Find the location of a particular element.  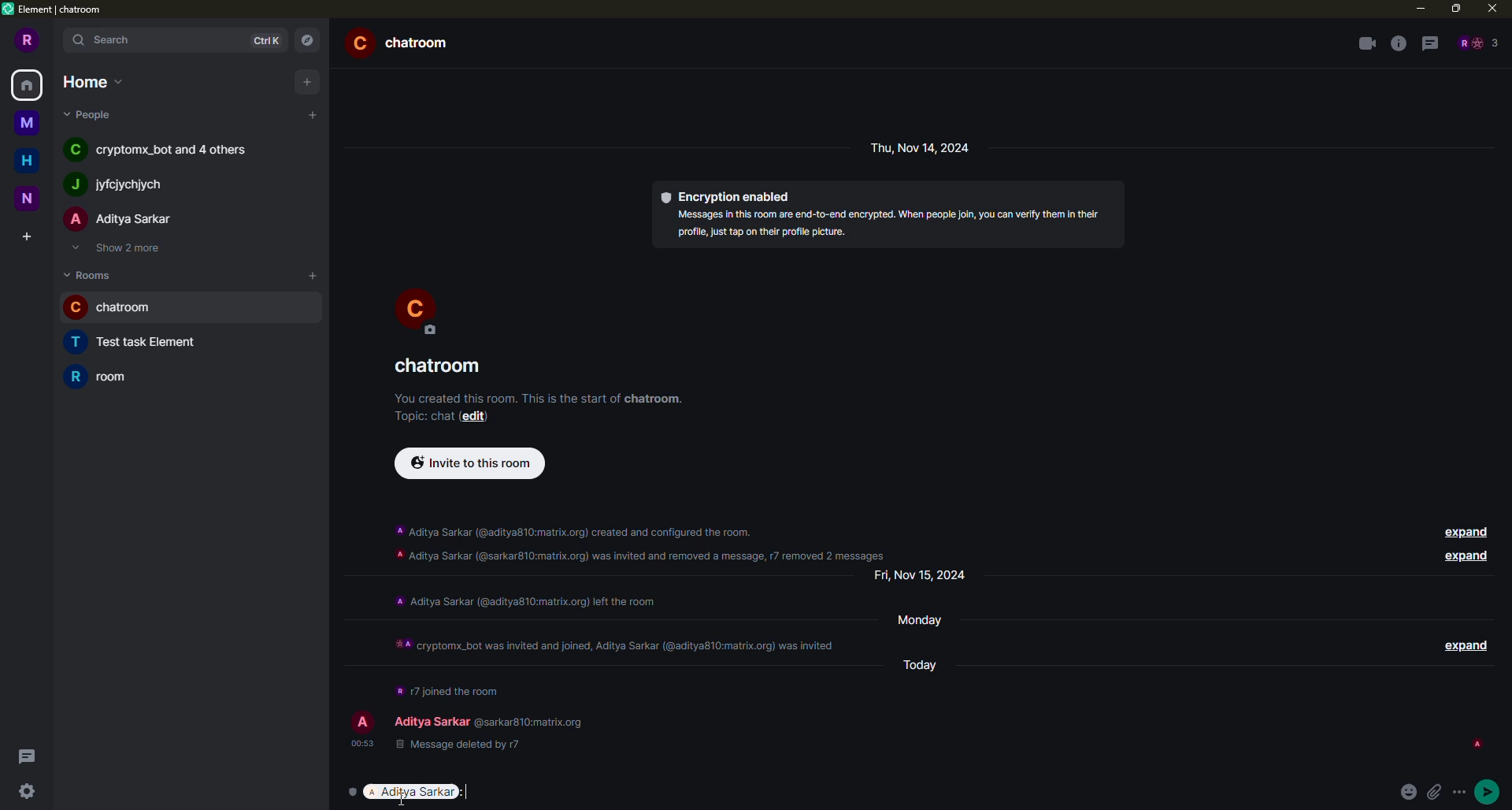

more is located at coordinates (1463, 793).